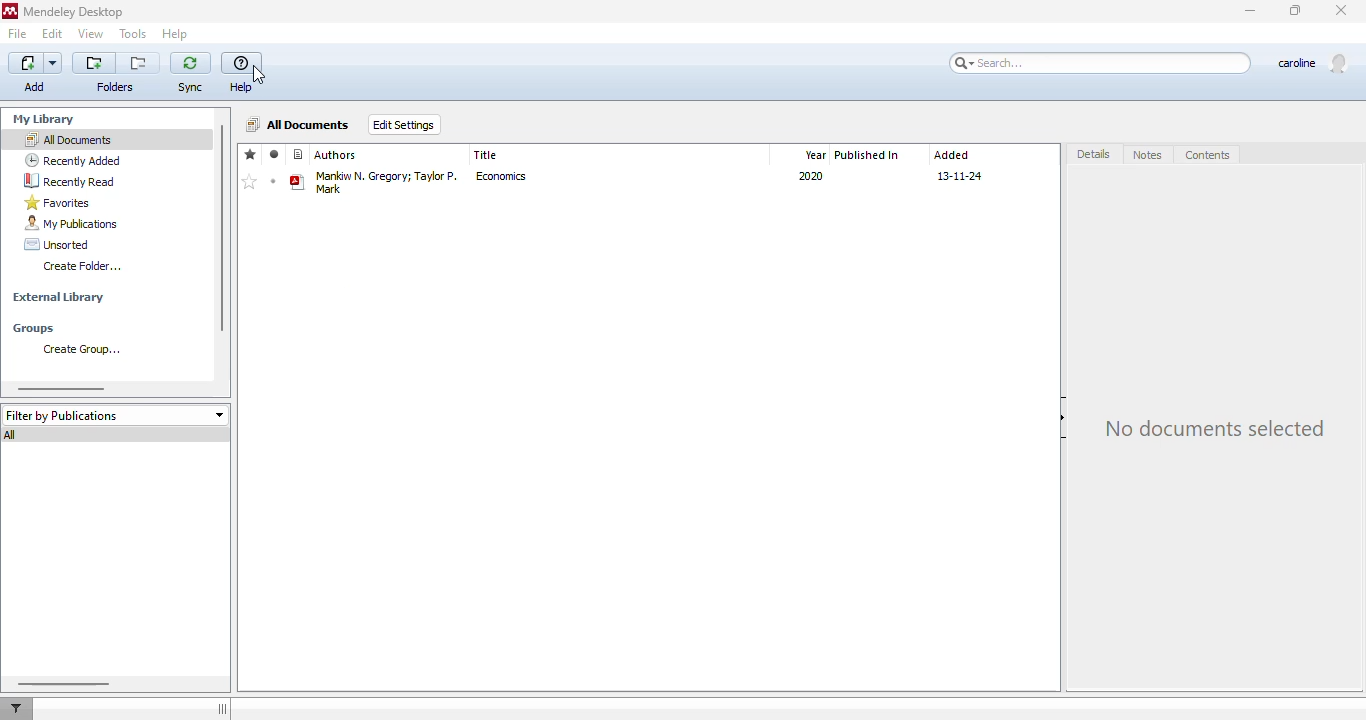 This screenshot has height=720, width=1366. Describe the element at coordinates (242, 74) in the screenshot. I see `help` at that location.